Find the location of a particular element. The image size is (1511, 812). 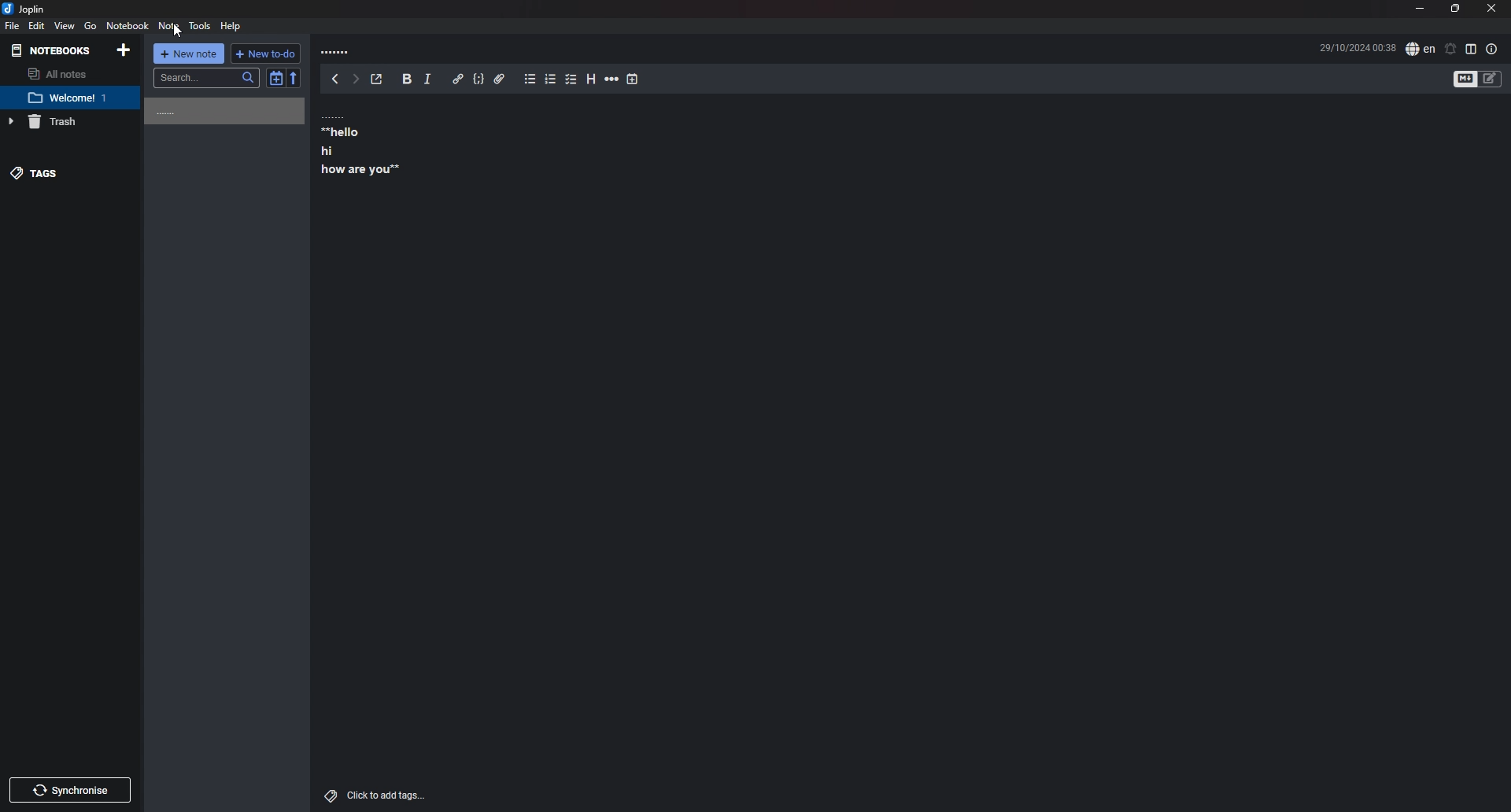

Properties is located at coordinates (1493, 49).